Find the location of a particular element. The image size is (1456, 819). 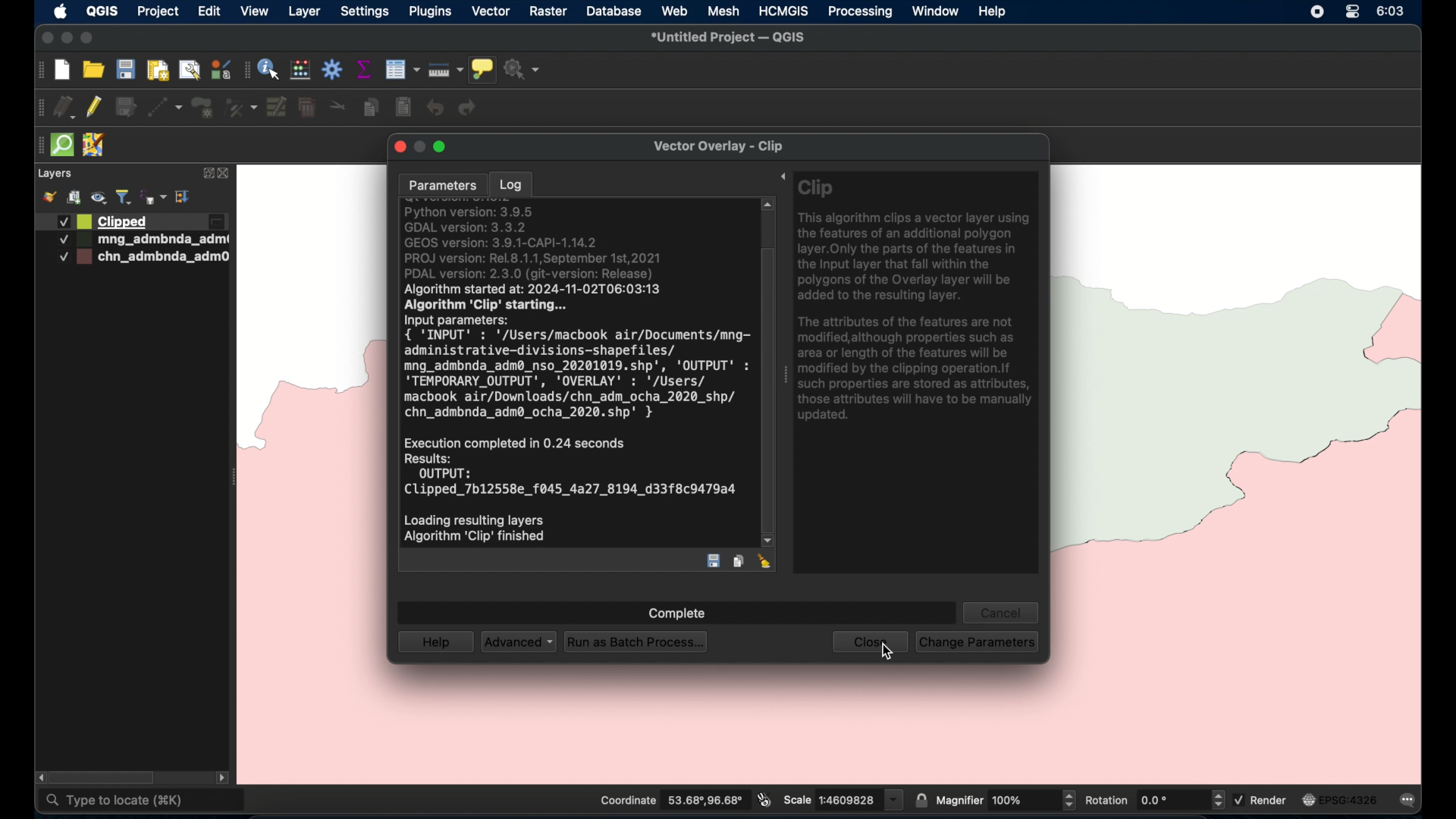

expand all is located at coordinates (184, 197).